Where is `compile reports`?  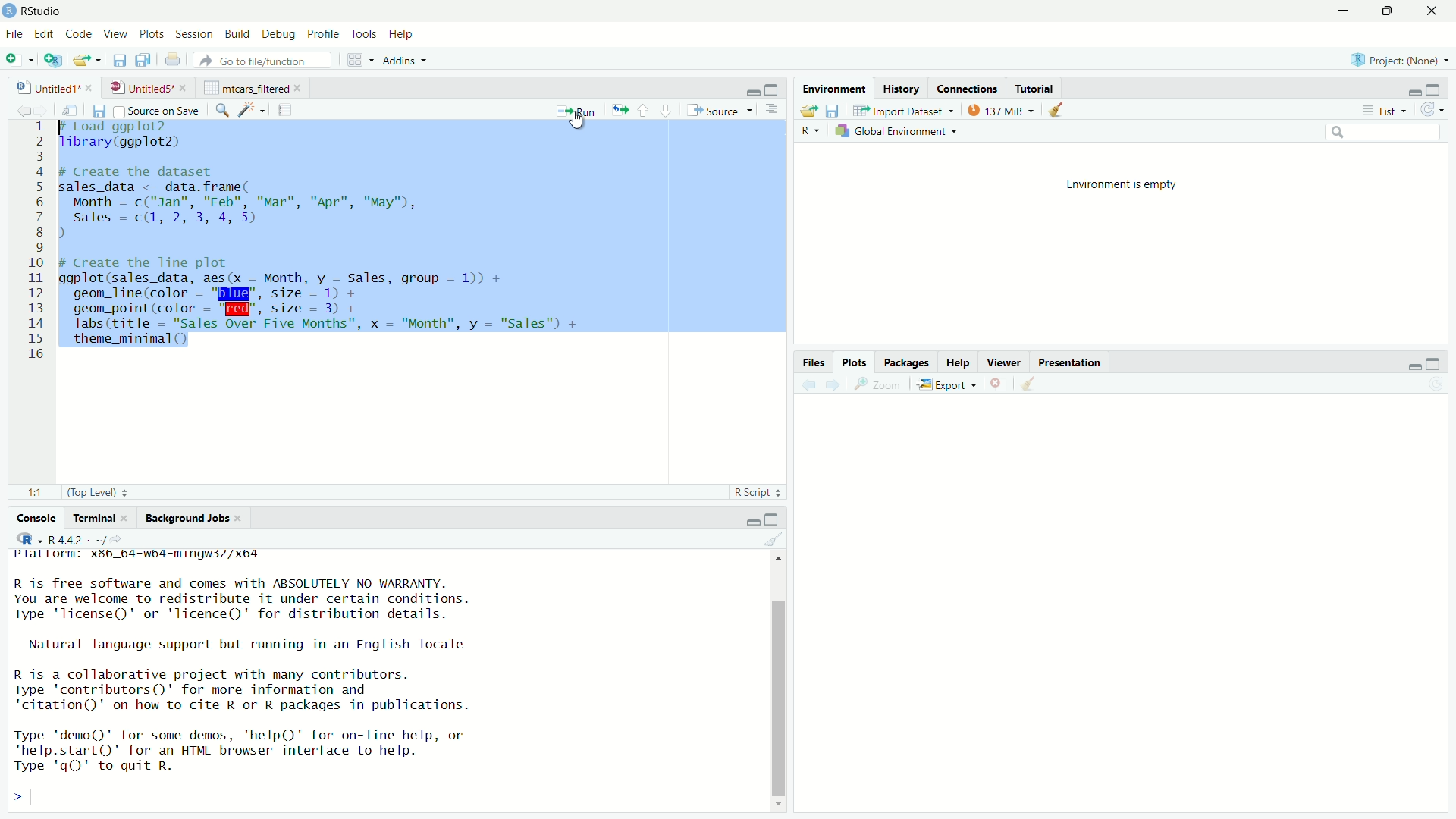 compile reports is located at coordinates (285, 109).